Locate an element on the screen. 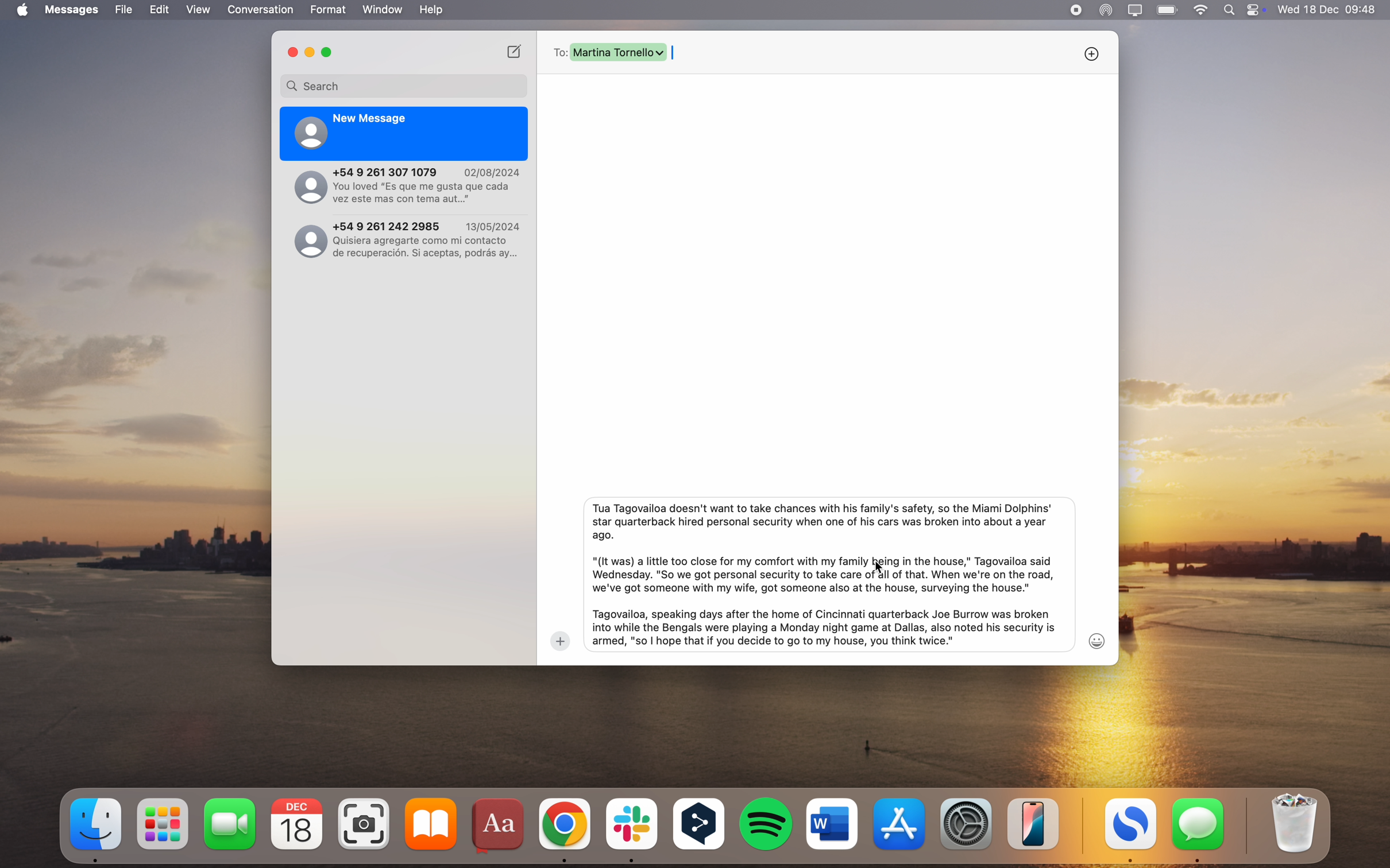 Image resolution: width=1390 pixels, height=868 pixels. spotlight search is located at coordinates (1232, 10).